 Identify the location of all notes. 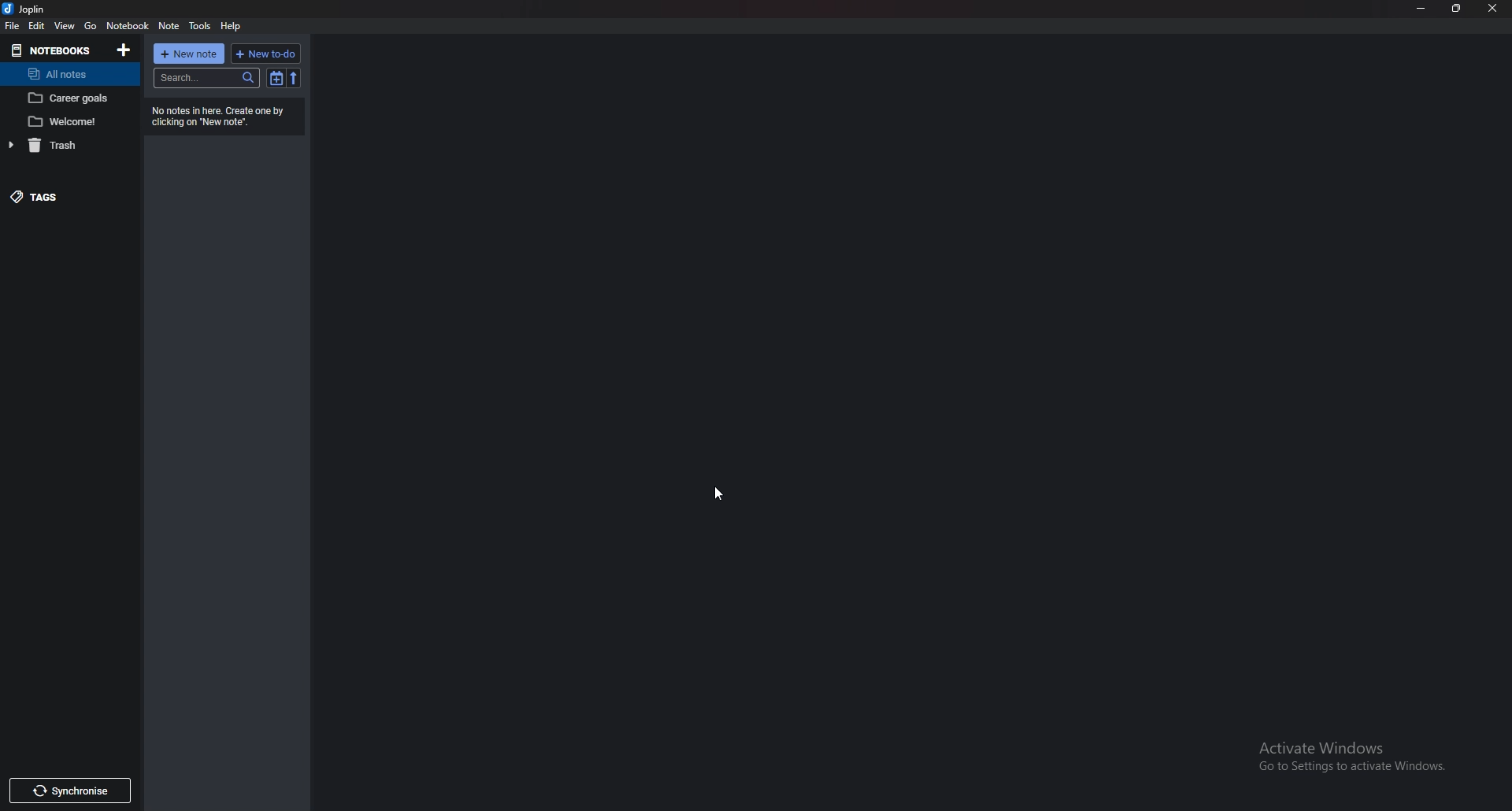
(65, 74).